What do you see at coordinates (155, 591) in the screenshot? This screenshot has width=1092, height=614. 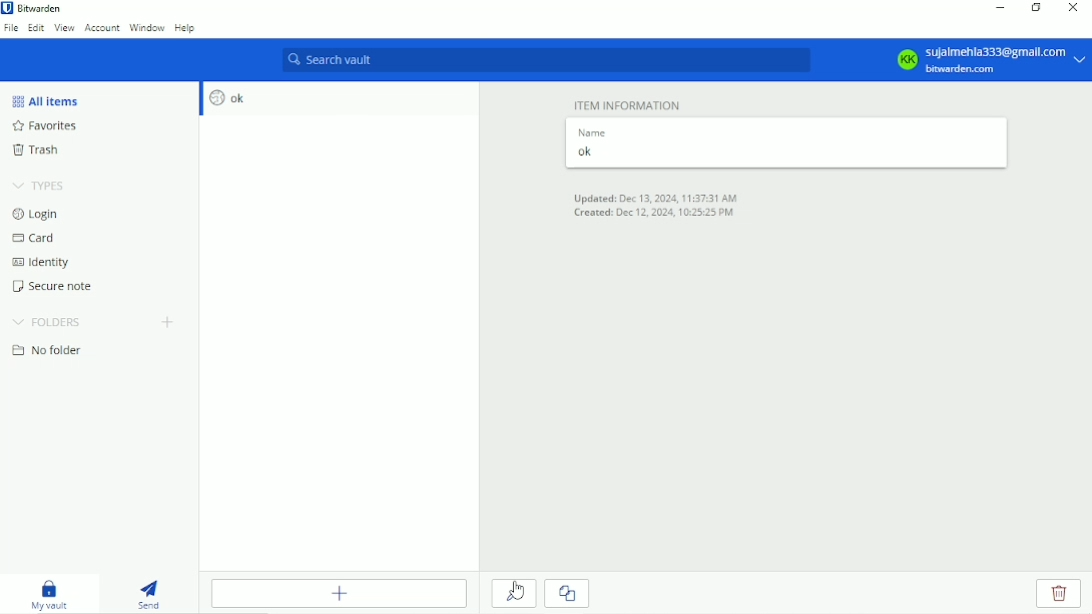 I see `Send` at bounding box center [155, 591].